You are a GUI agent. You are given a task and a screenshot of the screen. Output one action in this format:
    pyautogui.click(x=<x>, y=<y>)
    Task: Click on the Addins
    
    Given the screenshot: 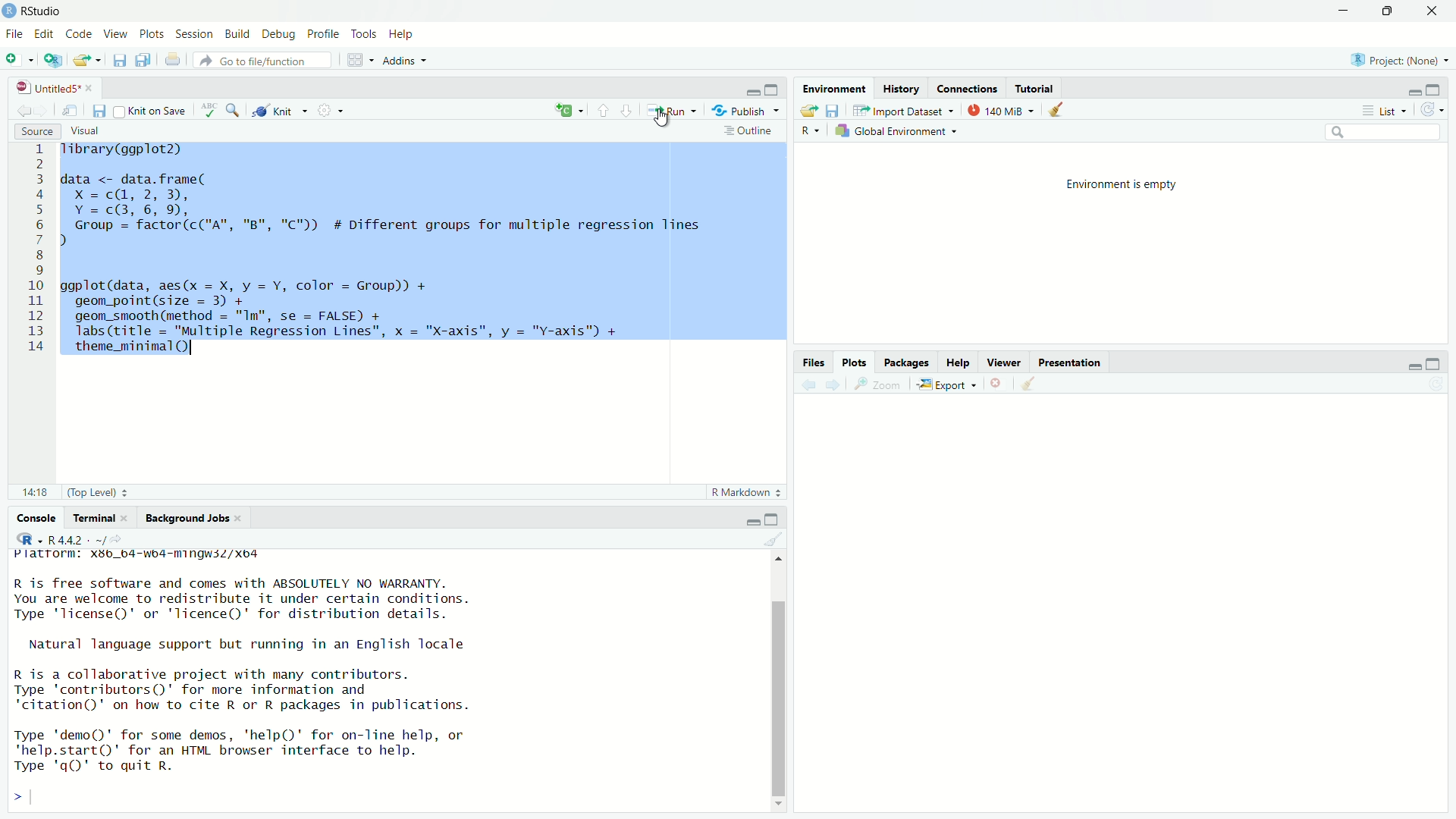 What is the action you would take?
    pyautogui.click(x=408, y=59)
    